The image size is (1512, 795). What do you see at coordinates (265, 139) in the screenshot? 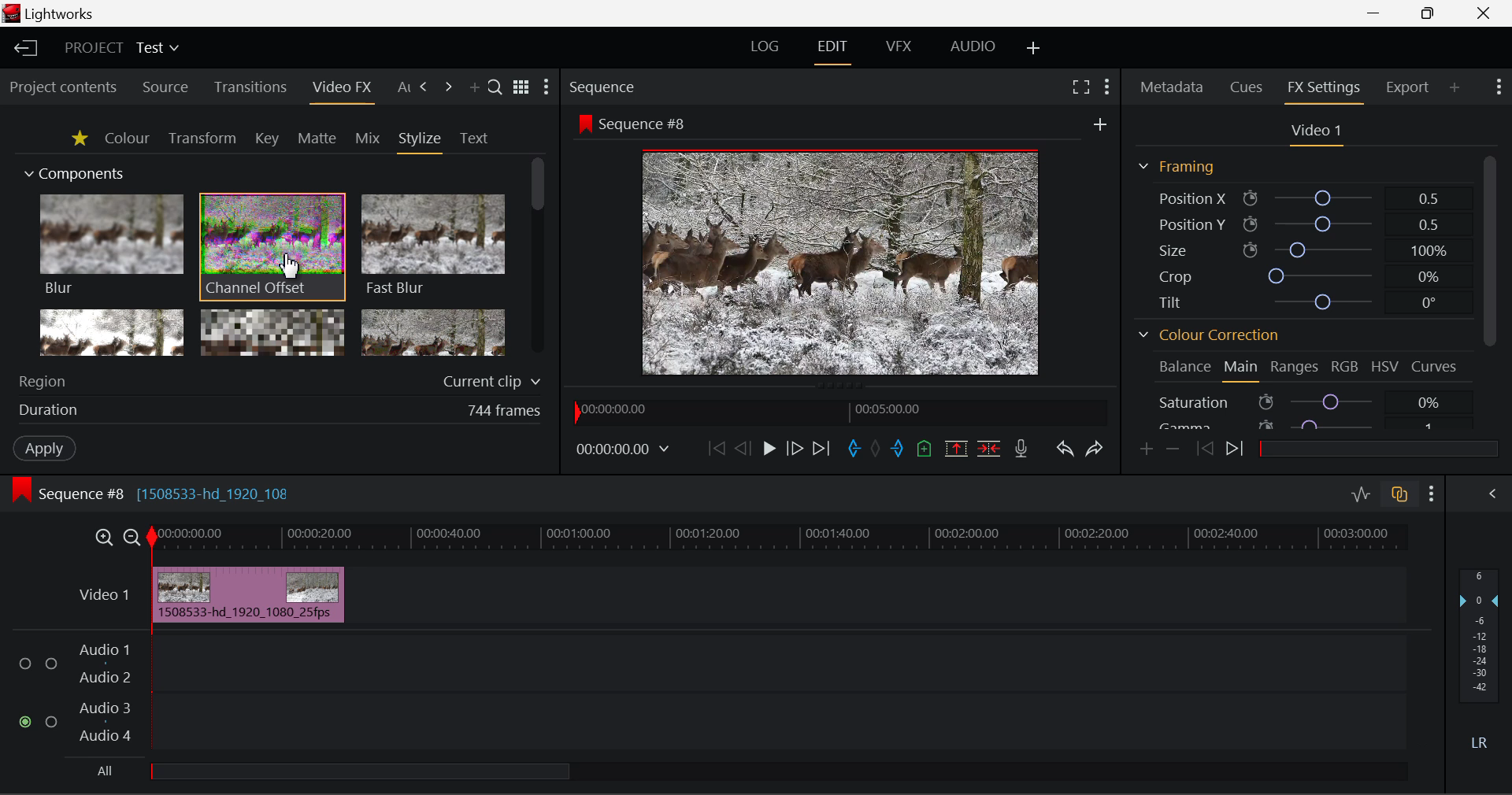
I see `Key` at bounding box center [265, 139].